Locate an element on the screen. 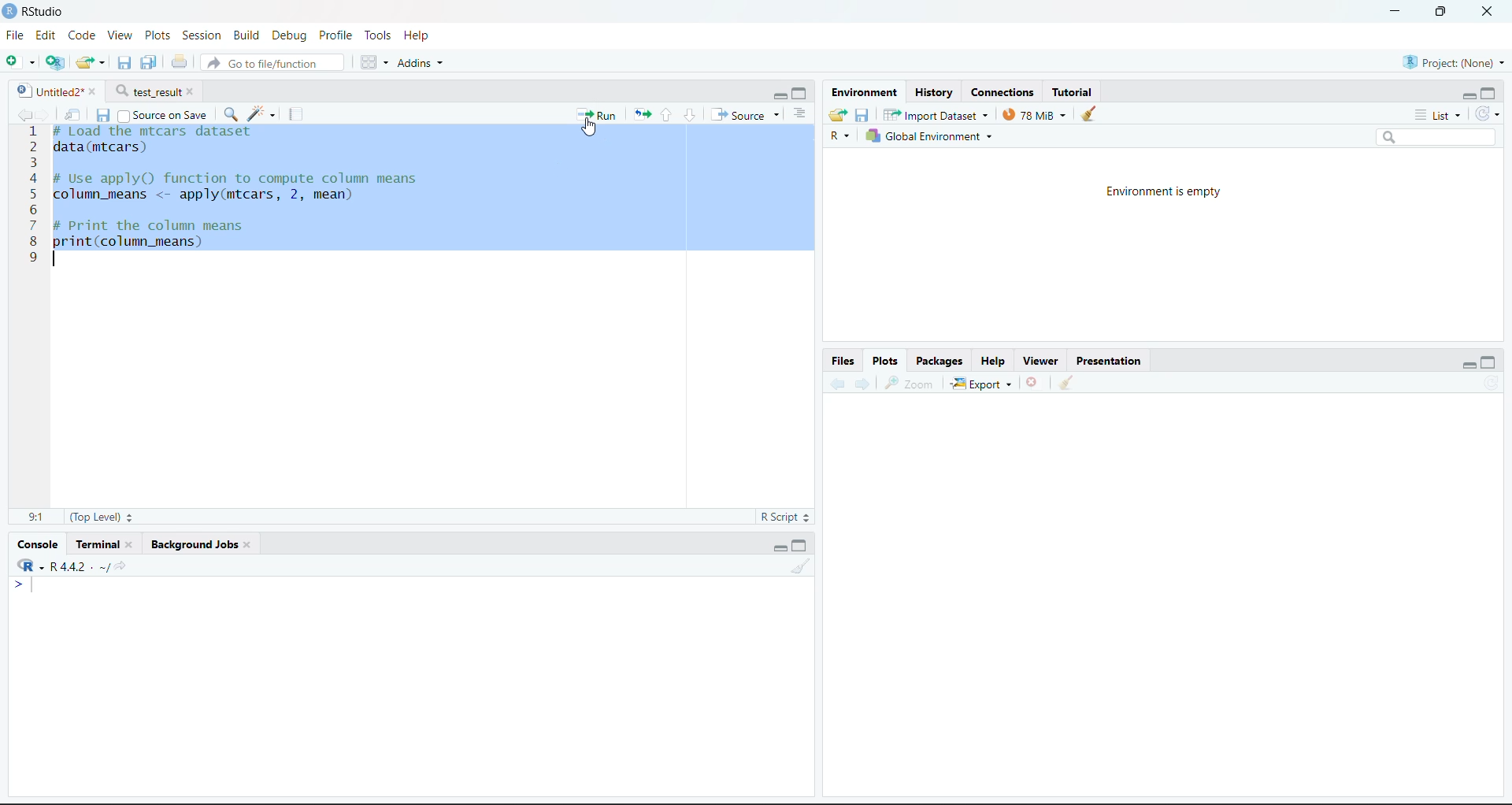 This screenshot has height=805, width=1512. Untitled2* is located at coordinates (61, 88).